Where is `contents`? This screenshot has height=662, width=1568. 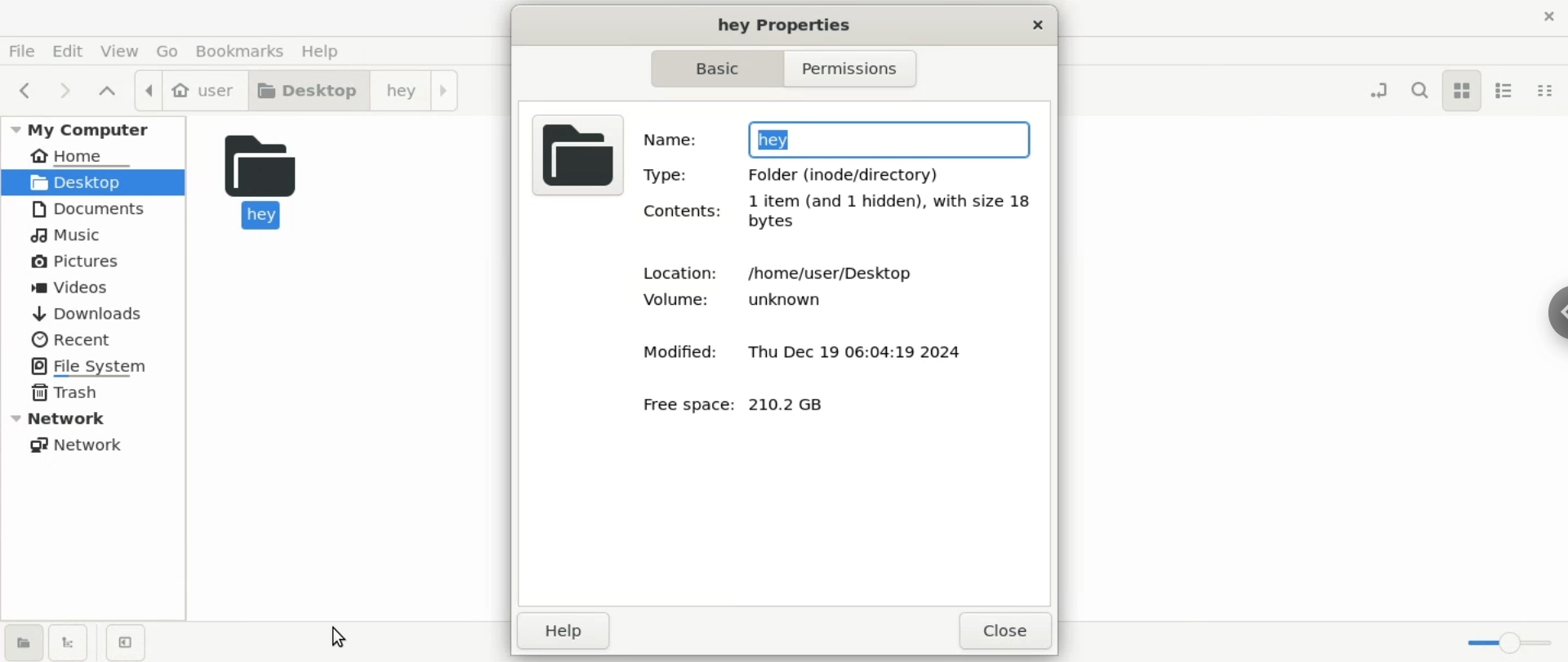 contents is located at coordinates (677, 212).